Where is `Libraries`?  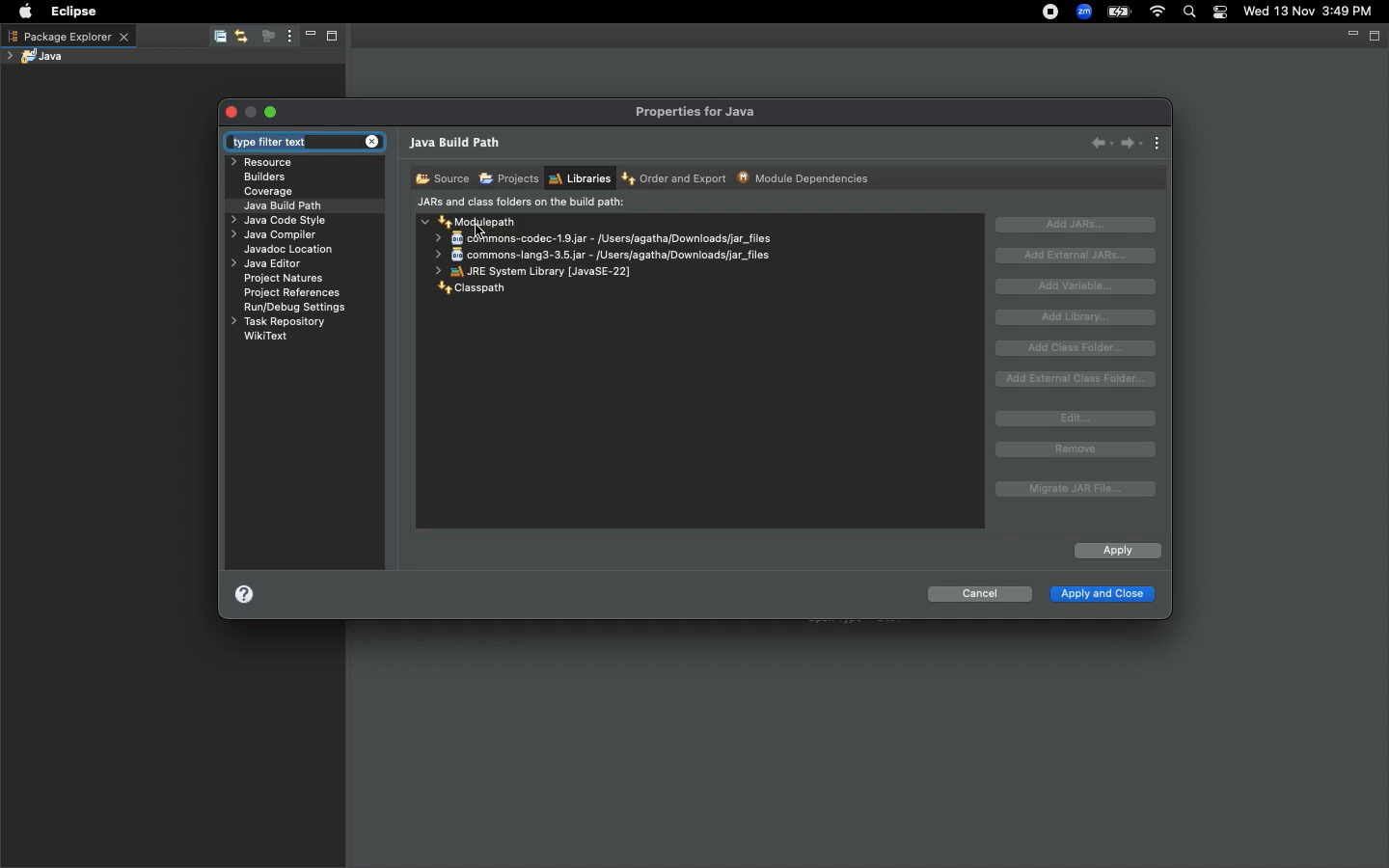 Libraries is located at coordinates (579, 178).